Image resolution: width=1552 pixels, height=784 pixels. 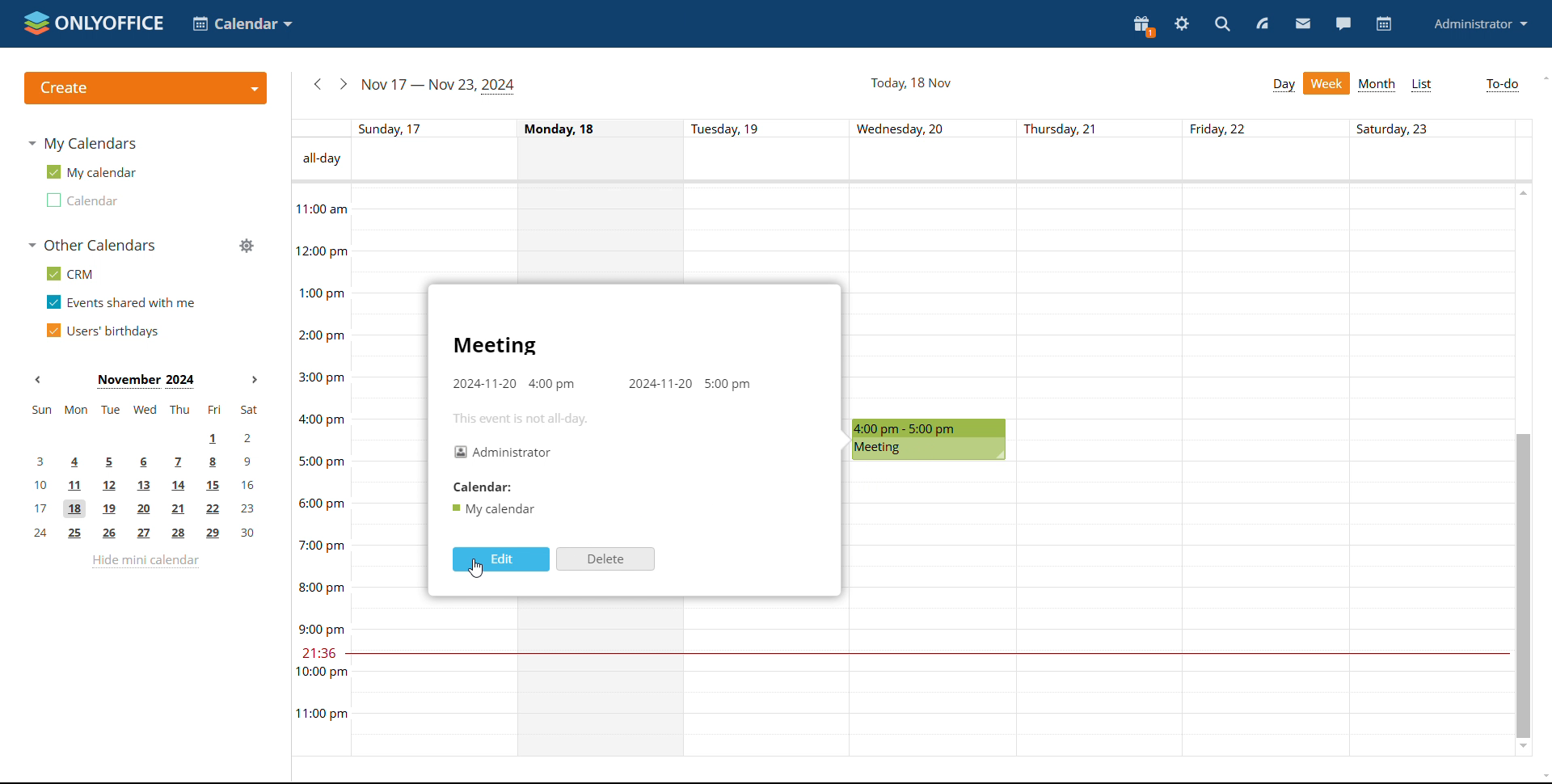 What do you see at coordinates (91, 23) in the screenshot?
I see `logo` at bounding box center [91, 23].